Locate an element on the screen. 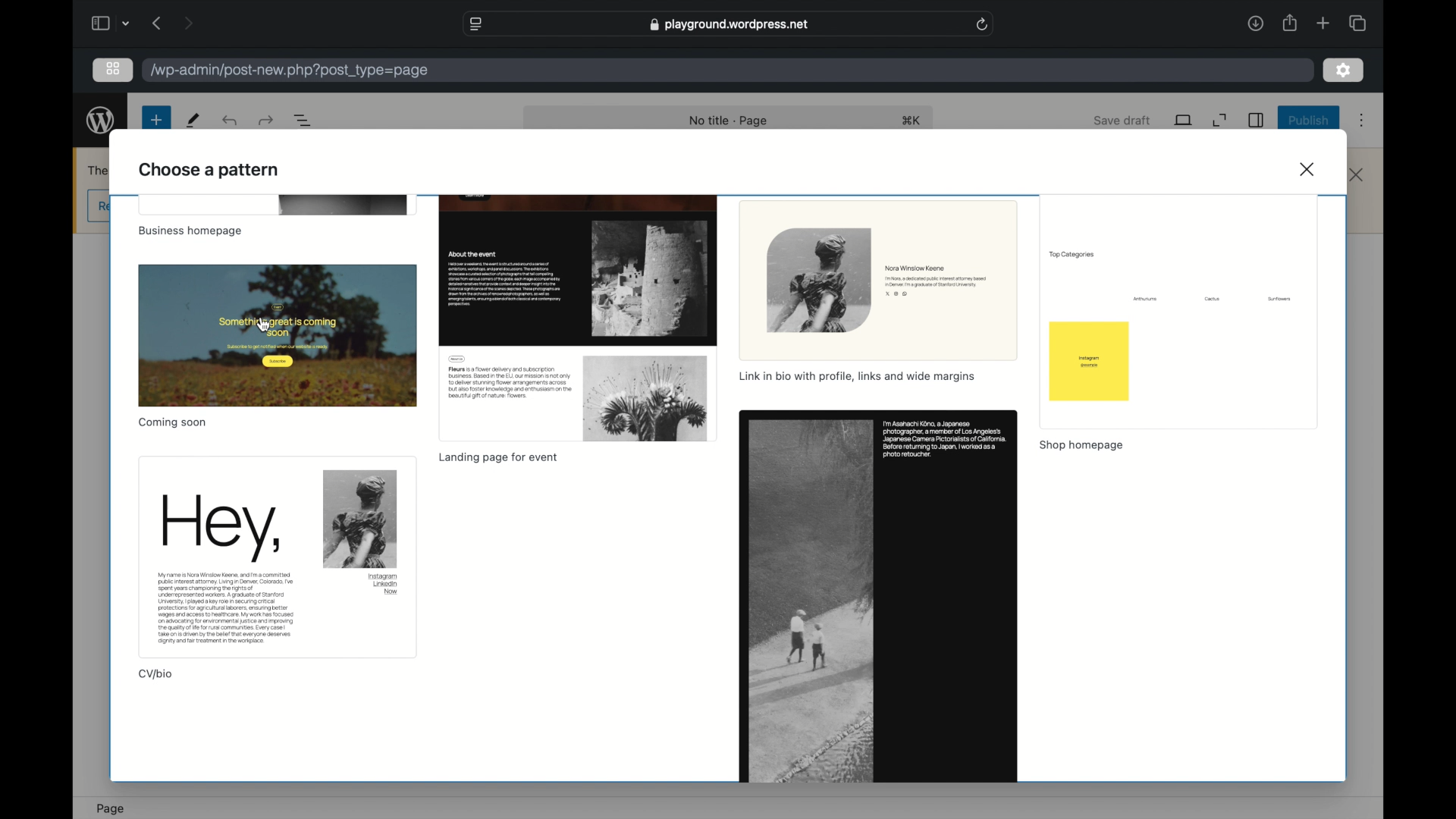 The image size is (1456, 819). website settings is located at coordinates (475, 24).